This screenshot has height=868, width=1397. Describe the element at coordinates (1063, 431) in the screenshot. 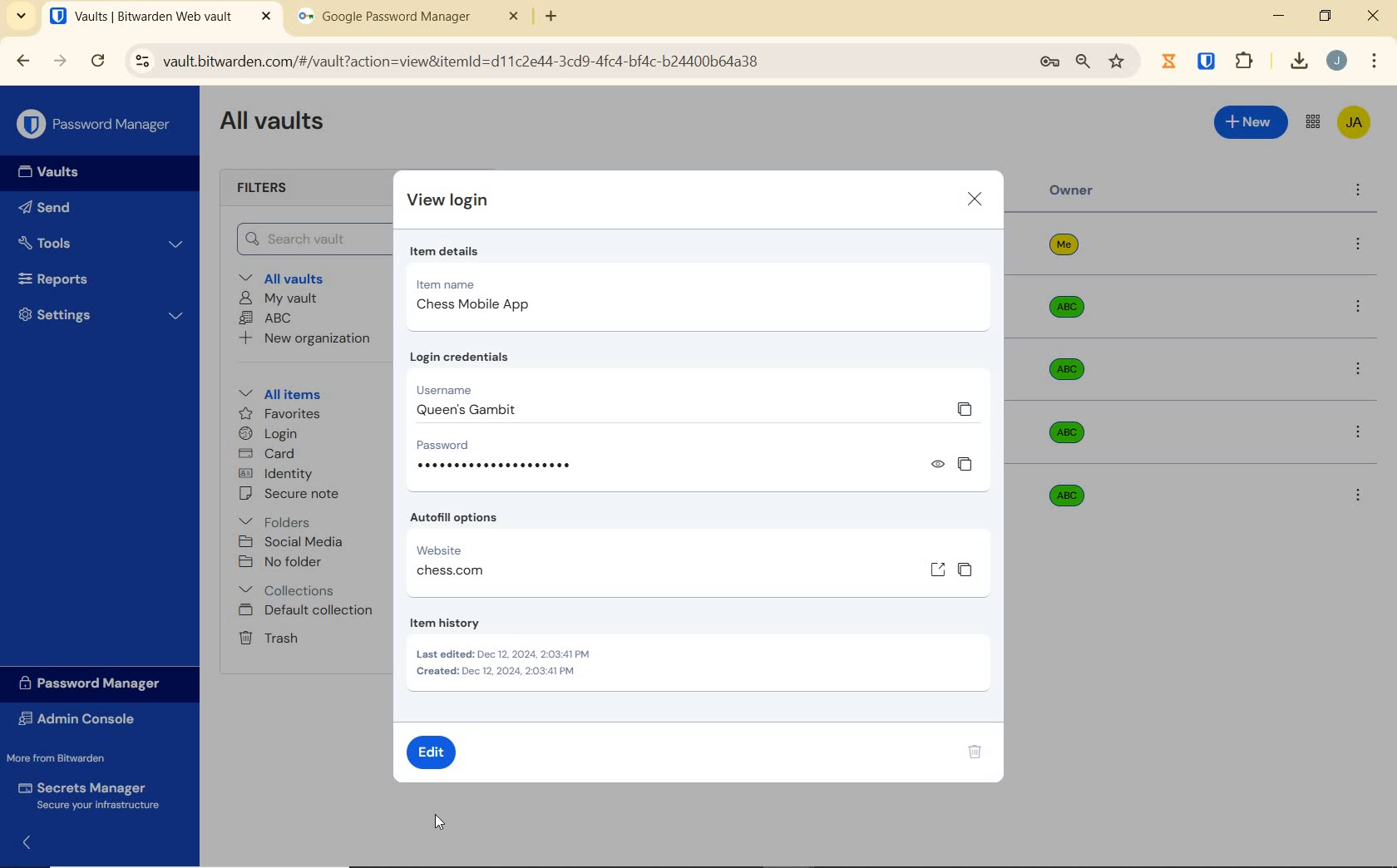

I see `Owner organization` at that location.